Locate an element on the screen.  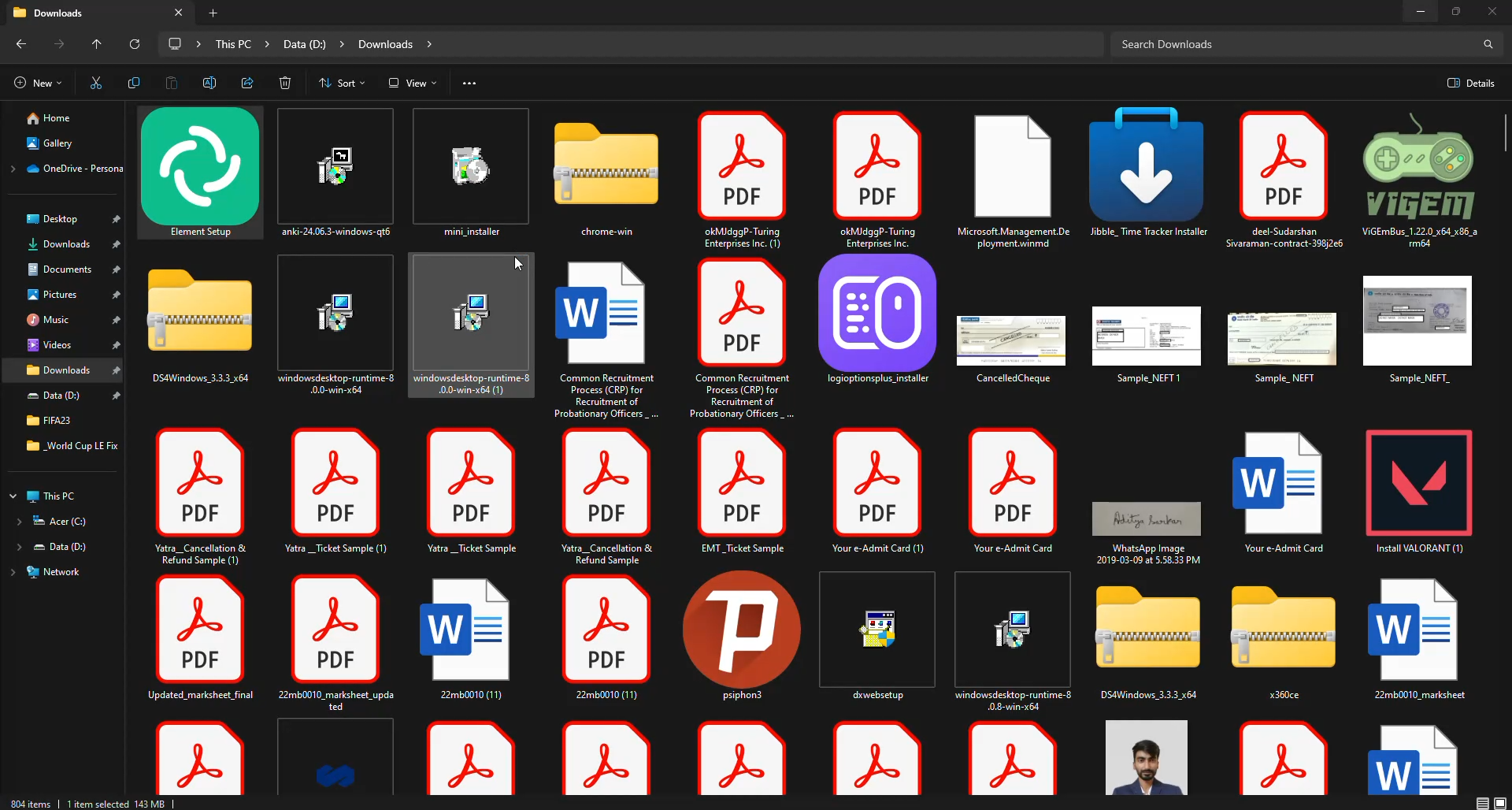
file path is located at coordinates (304, 44).